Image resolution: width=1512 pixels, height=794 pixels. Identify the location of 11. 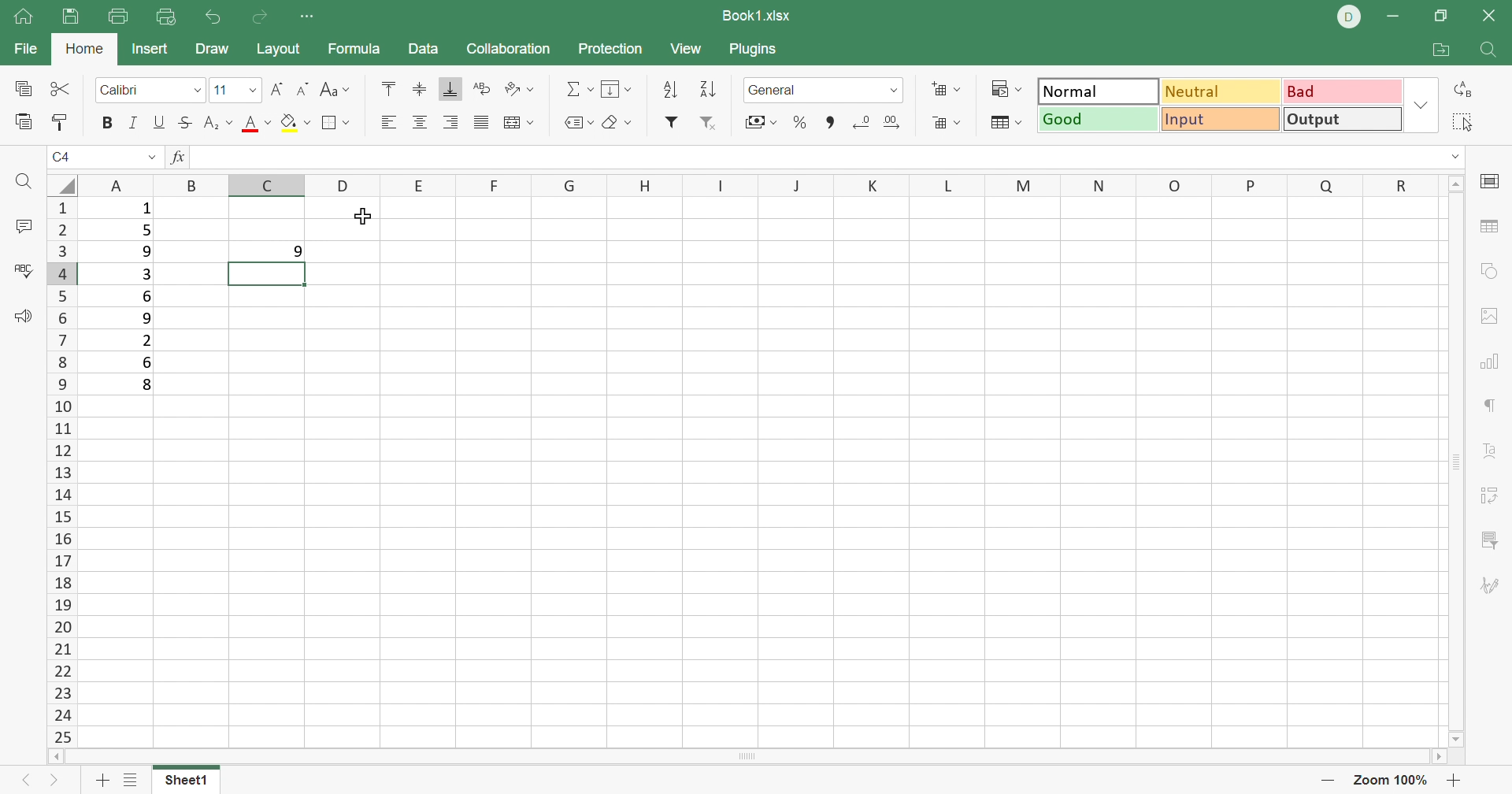
(224, 91).